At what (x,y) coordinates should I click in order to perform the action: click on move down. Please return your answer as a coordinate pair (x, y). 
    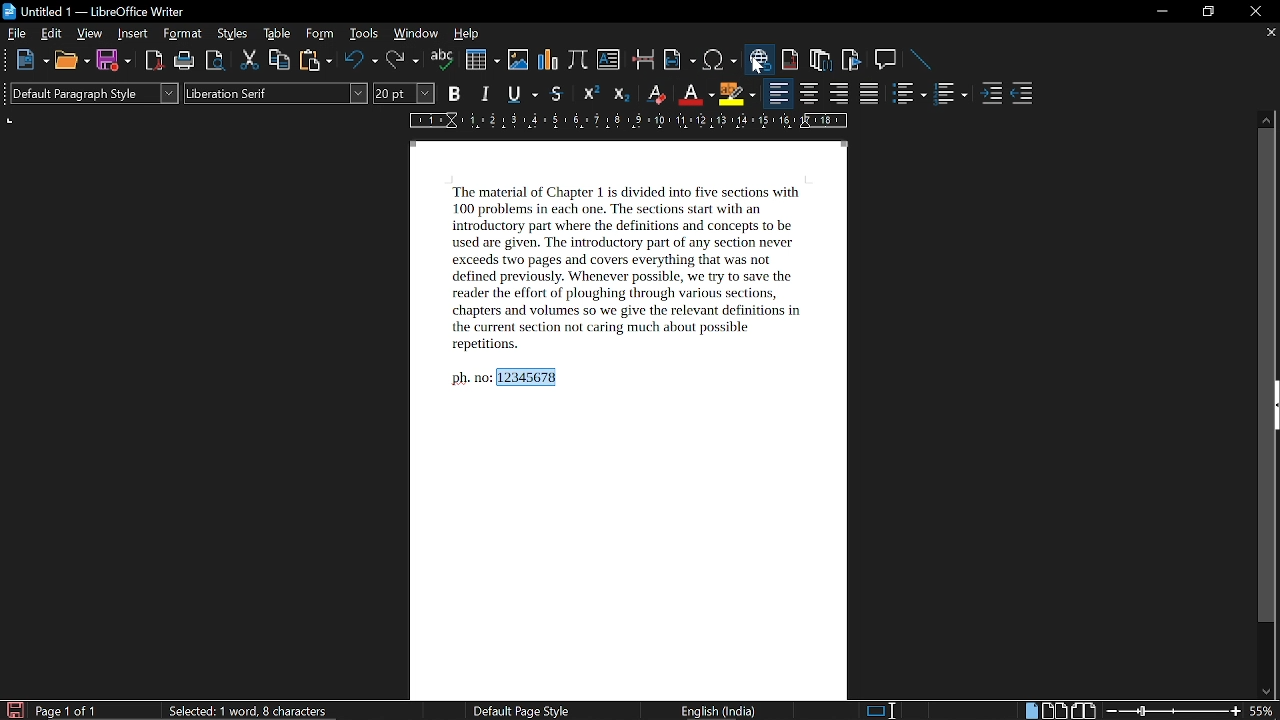
    Looking at the image, I should click on (1267, 690).